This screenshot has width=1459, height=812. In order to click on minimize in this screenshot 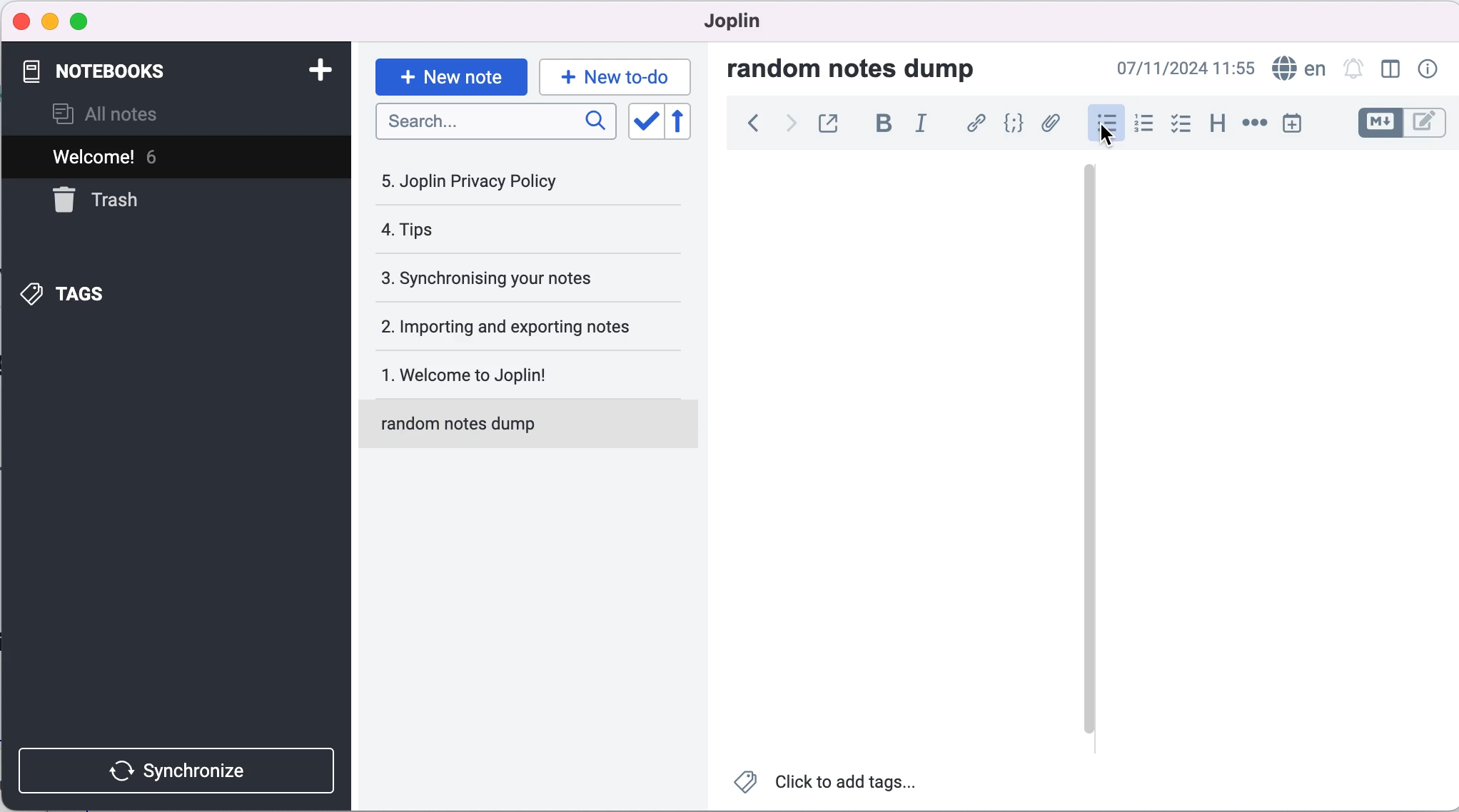, I will do `click(49, 22)`.